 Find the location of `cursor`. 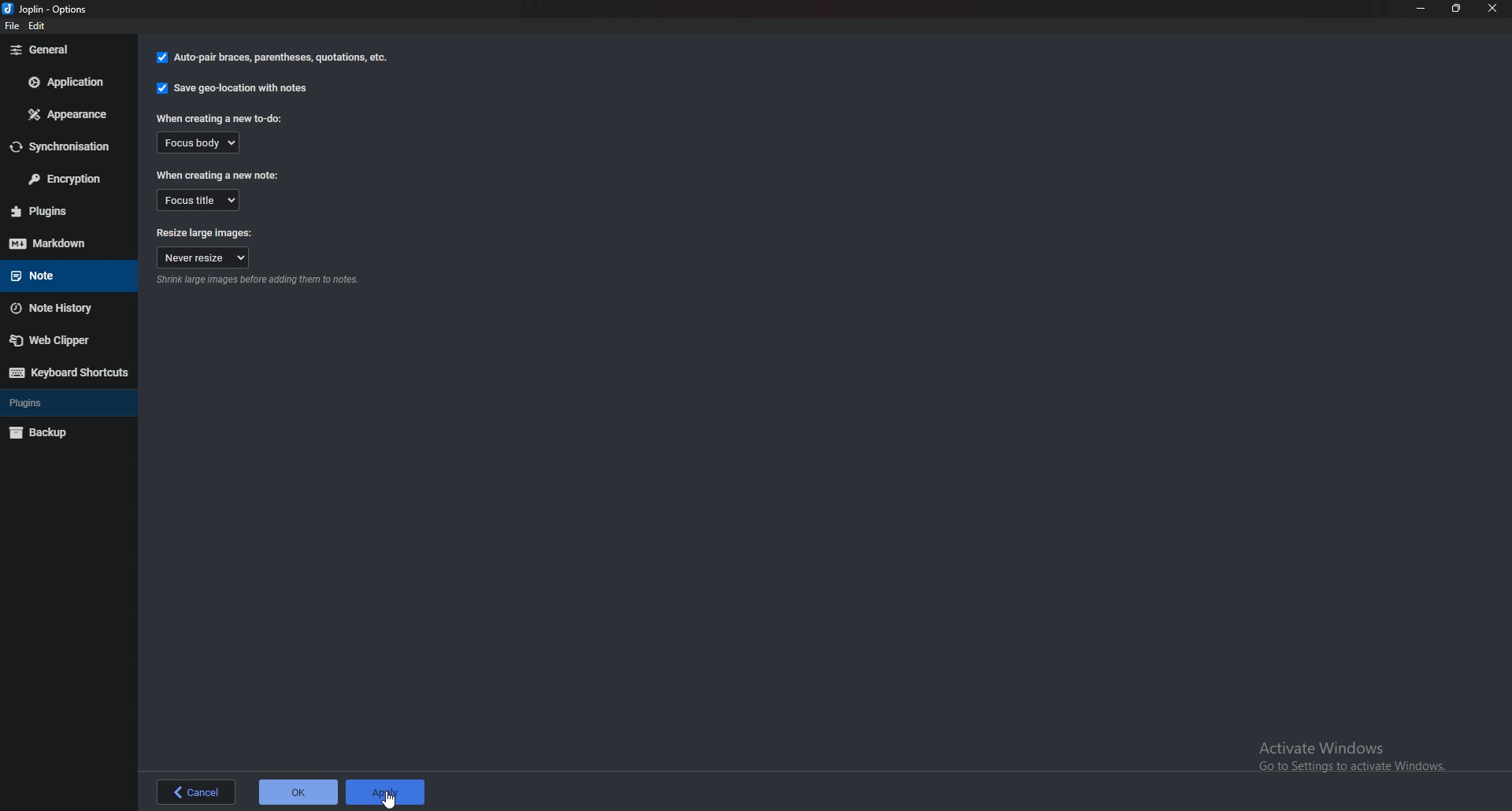

cursor is located at coordinates (390, 795).